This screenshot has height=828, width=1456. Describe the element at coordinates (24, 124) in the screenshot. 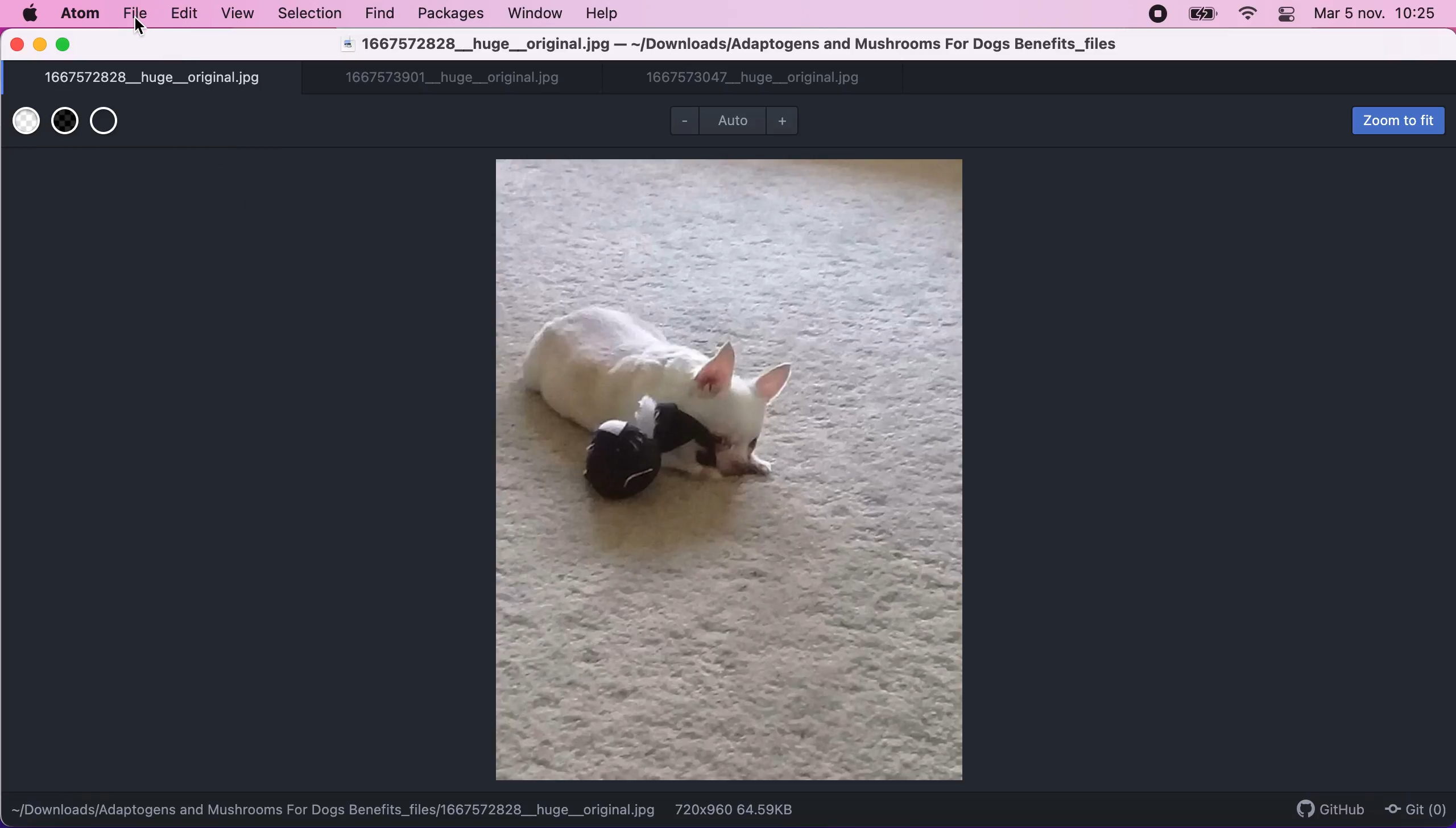

I see `use white transparent background` at that location.